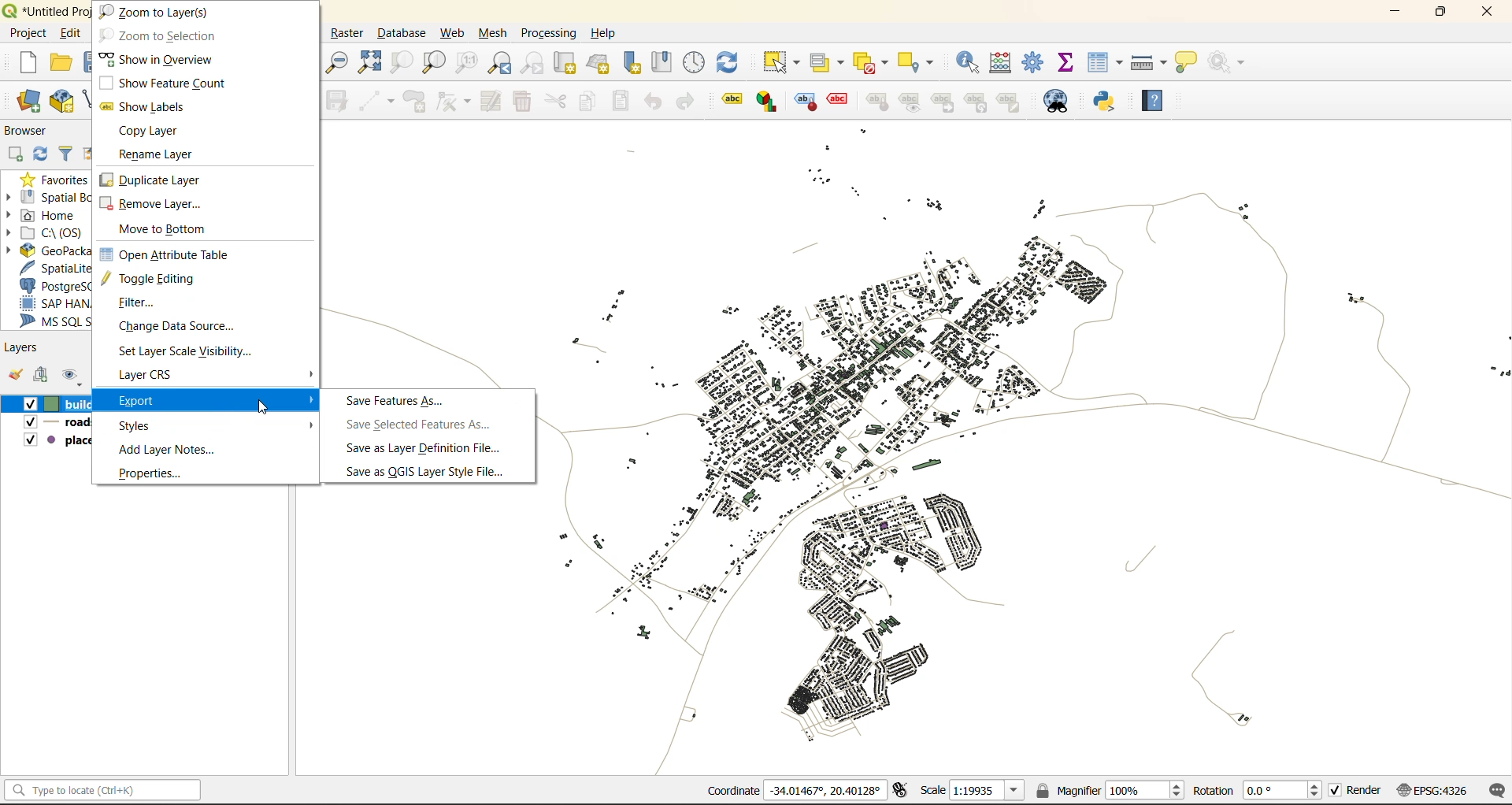 This screenshot has width=1512, height=805. I want to click on processing, so click(547, 32).